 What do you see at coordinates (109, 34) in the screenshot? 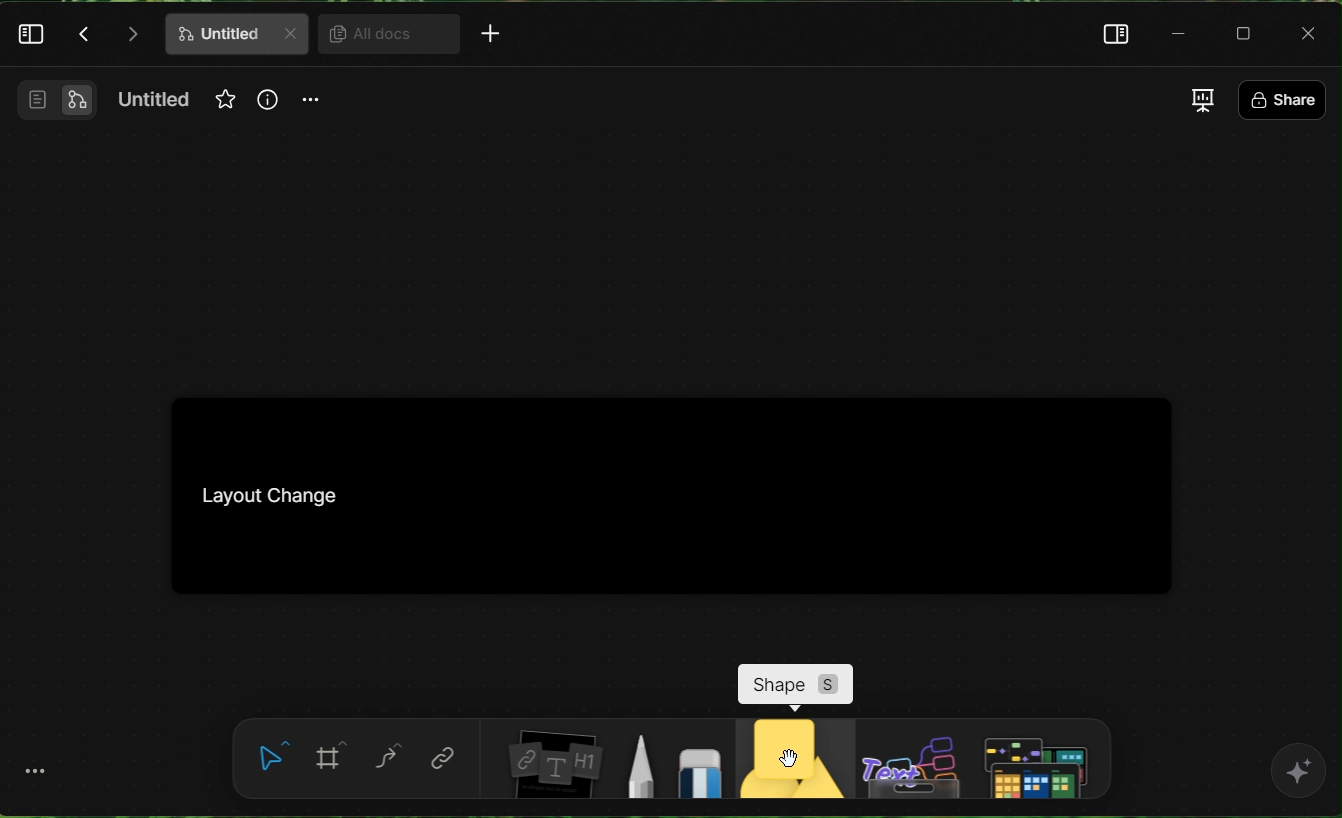
I see `Actions` at bounding box center [109, 34].